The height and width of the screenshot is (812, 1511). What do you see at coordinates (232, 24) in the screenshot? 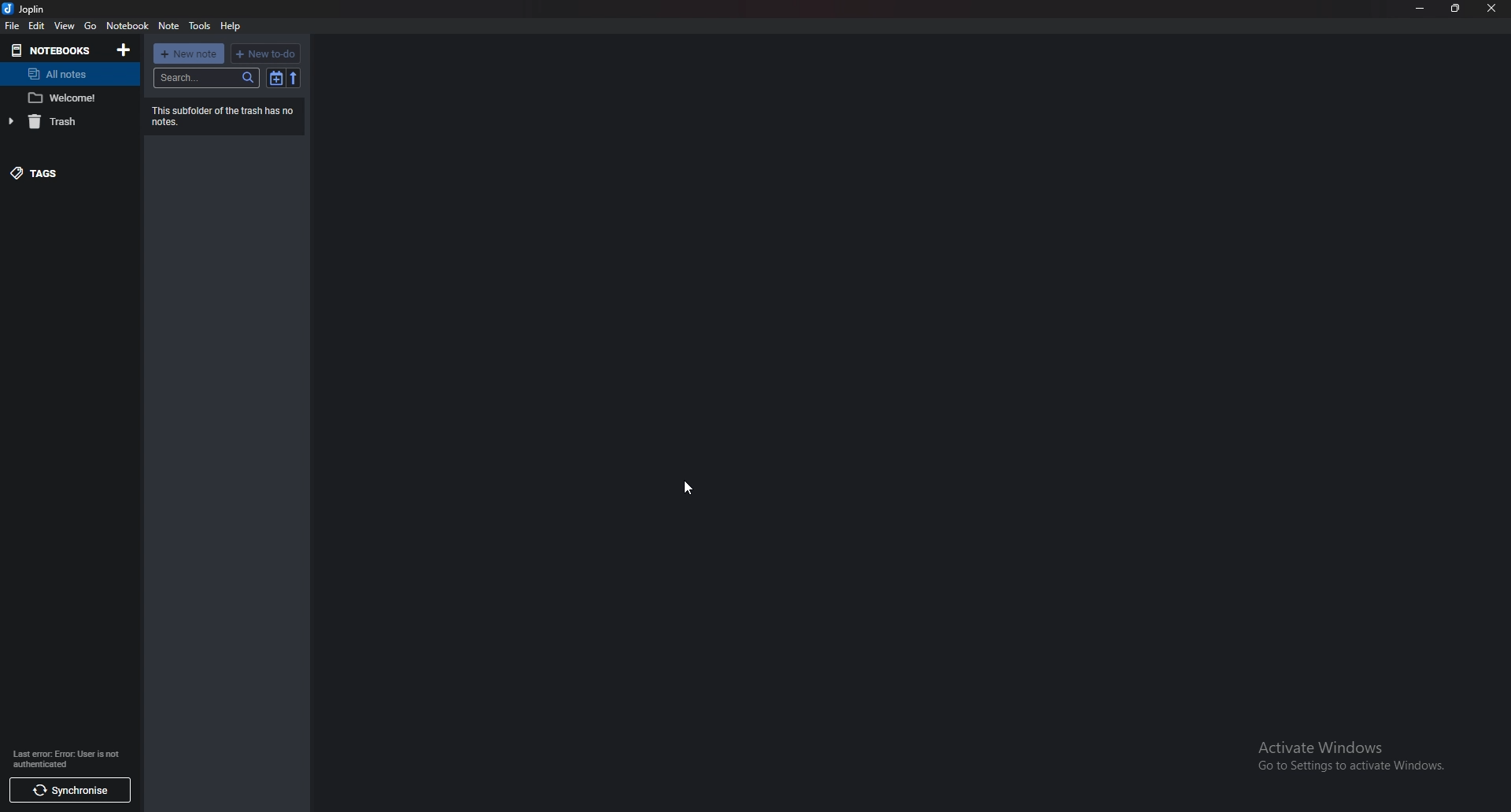
I see `help` at bounding box center [232, 24].